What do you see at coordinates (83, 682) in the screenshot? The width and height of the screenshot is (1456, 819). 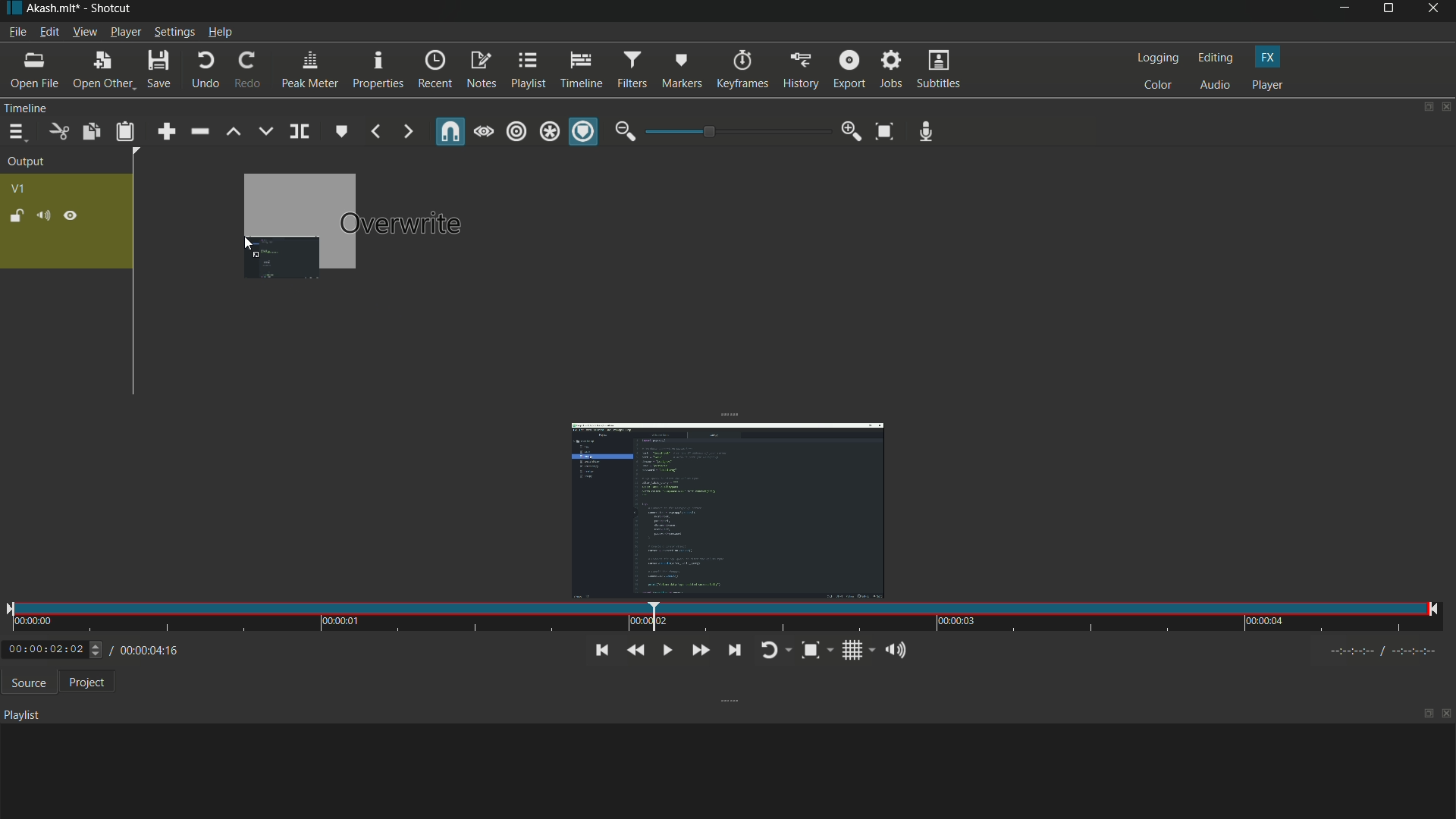 I see `project` at bounding box center [83, 682].